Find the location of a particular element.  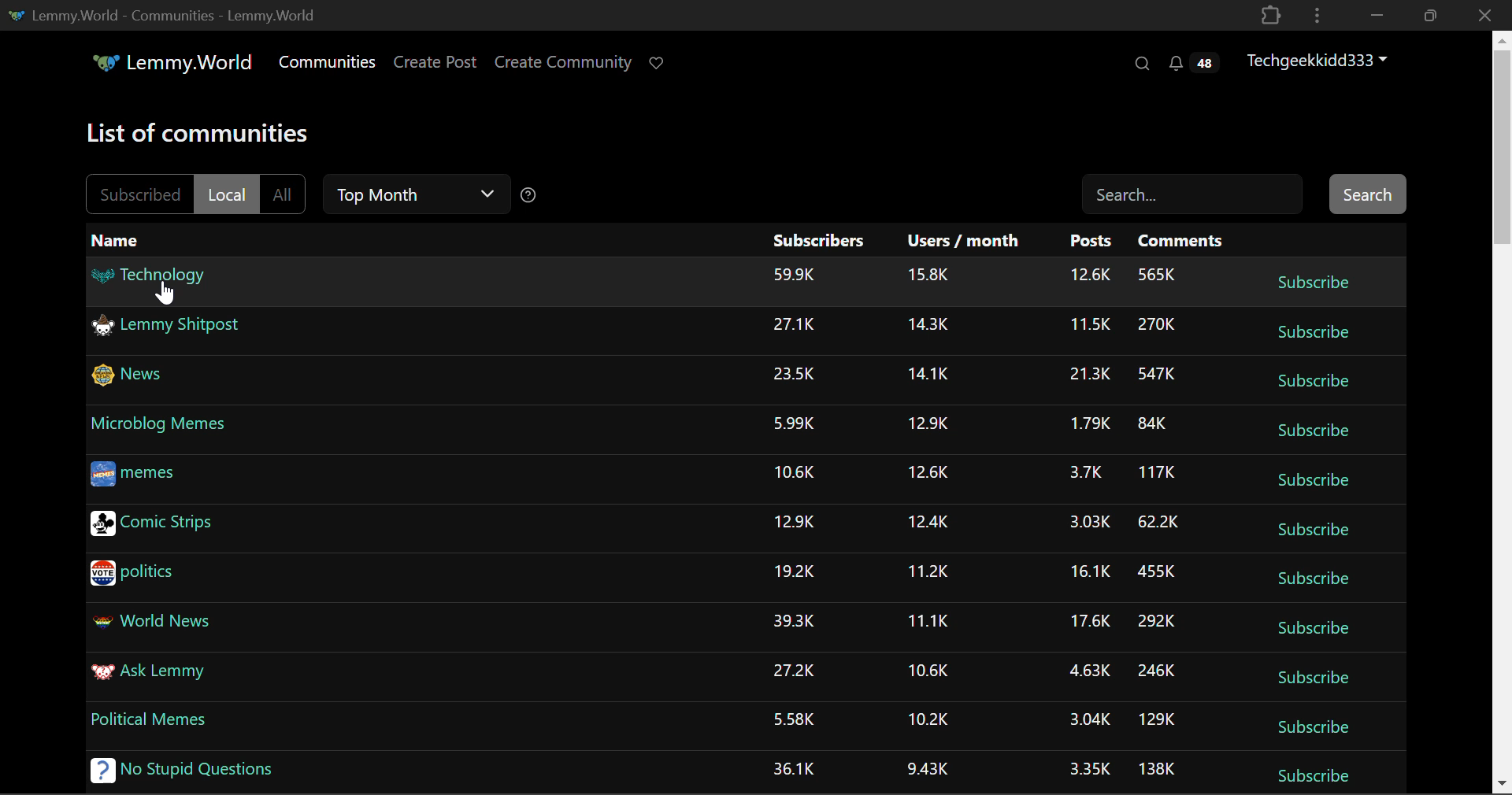

Amount  is located at coordinates (1091, 275).